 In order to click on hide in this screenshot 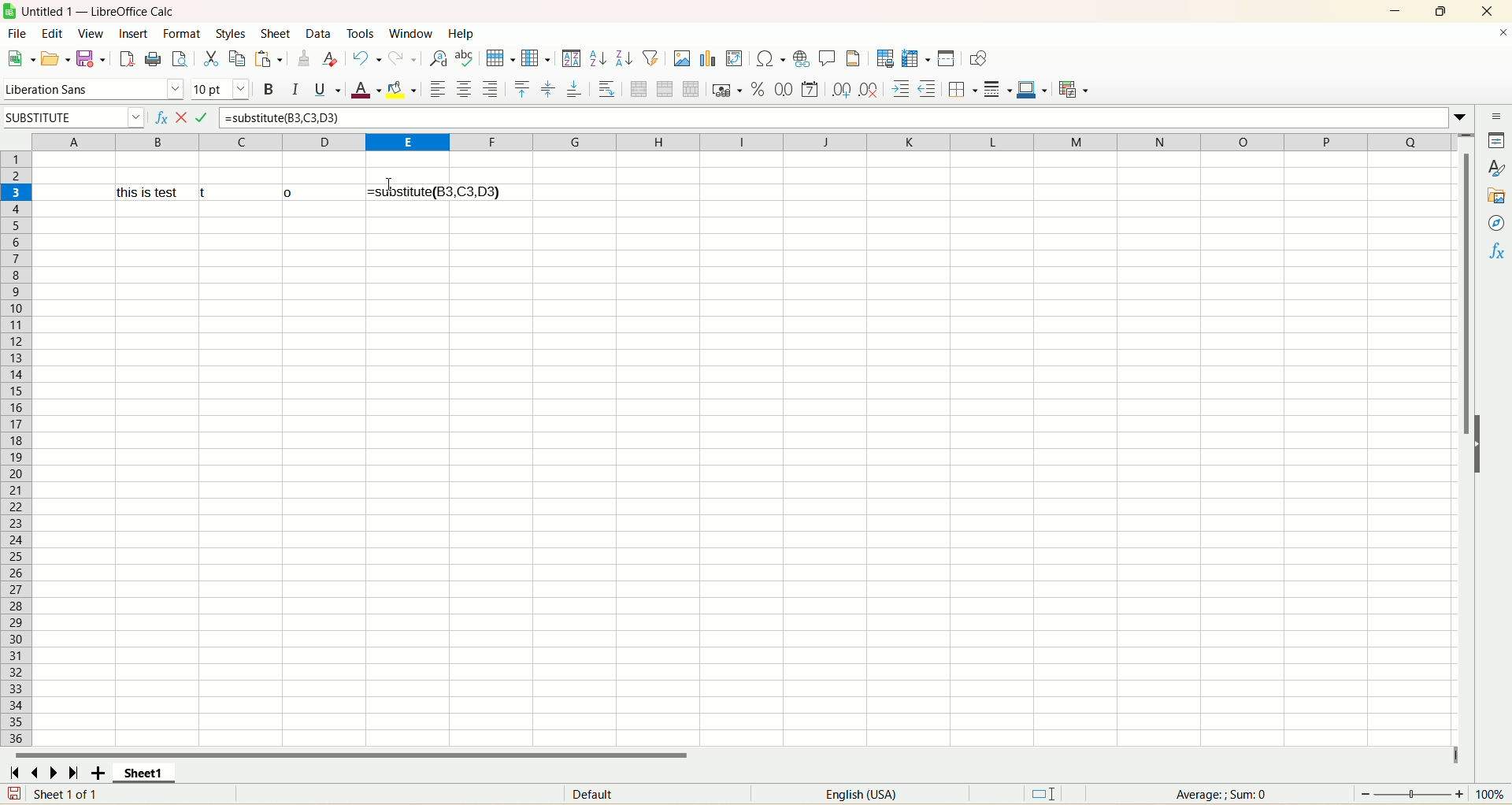, I will do `click(1477, 443)`.